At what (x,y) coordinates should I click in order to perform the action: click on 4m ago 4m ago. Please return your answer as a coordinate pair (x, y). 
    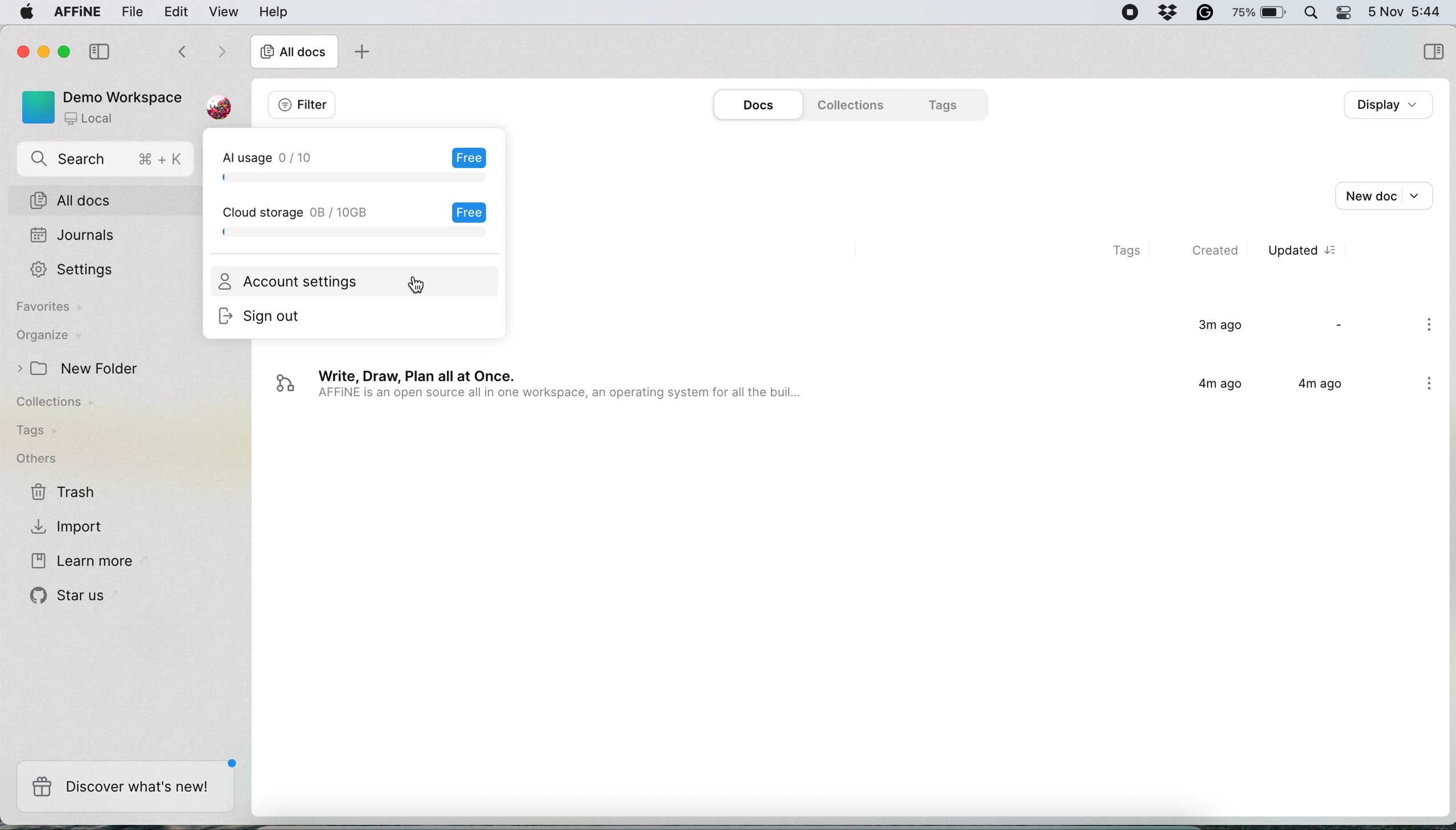
    Looking at the image, I should click on (1265, 389).